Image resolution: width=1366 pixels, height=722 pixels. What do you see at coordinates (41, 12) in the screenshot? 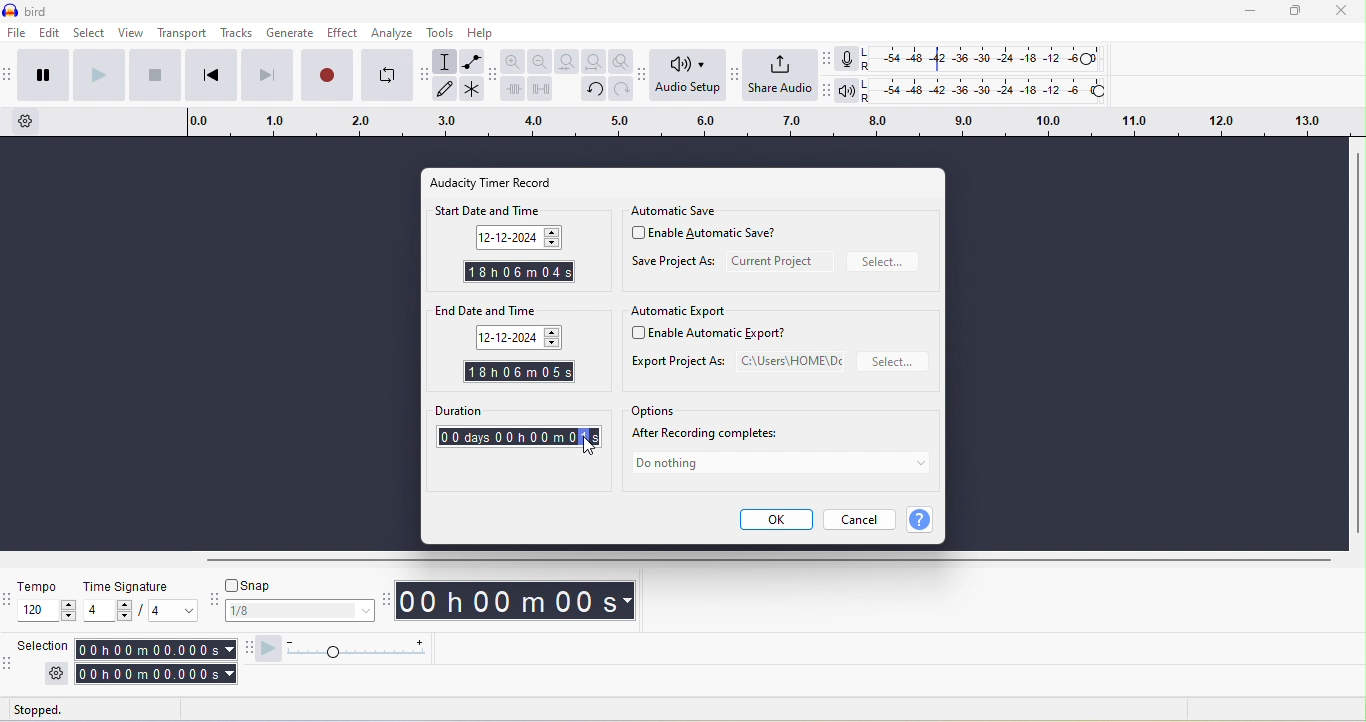
I see `title` at bounding box center [41, 12].